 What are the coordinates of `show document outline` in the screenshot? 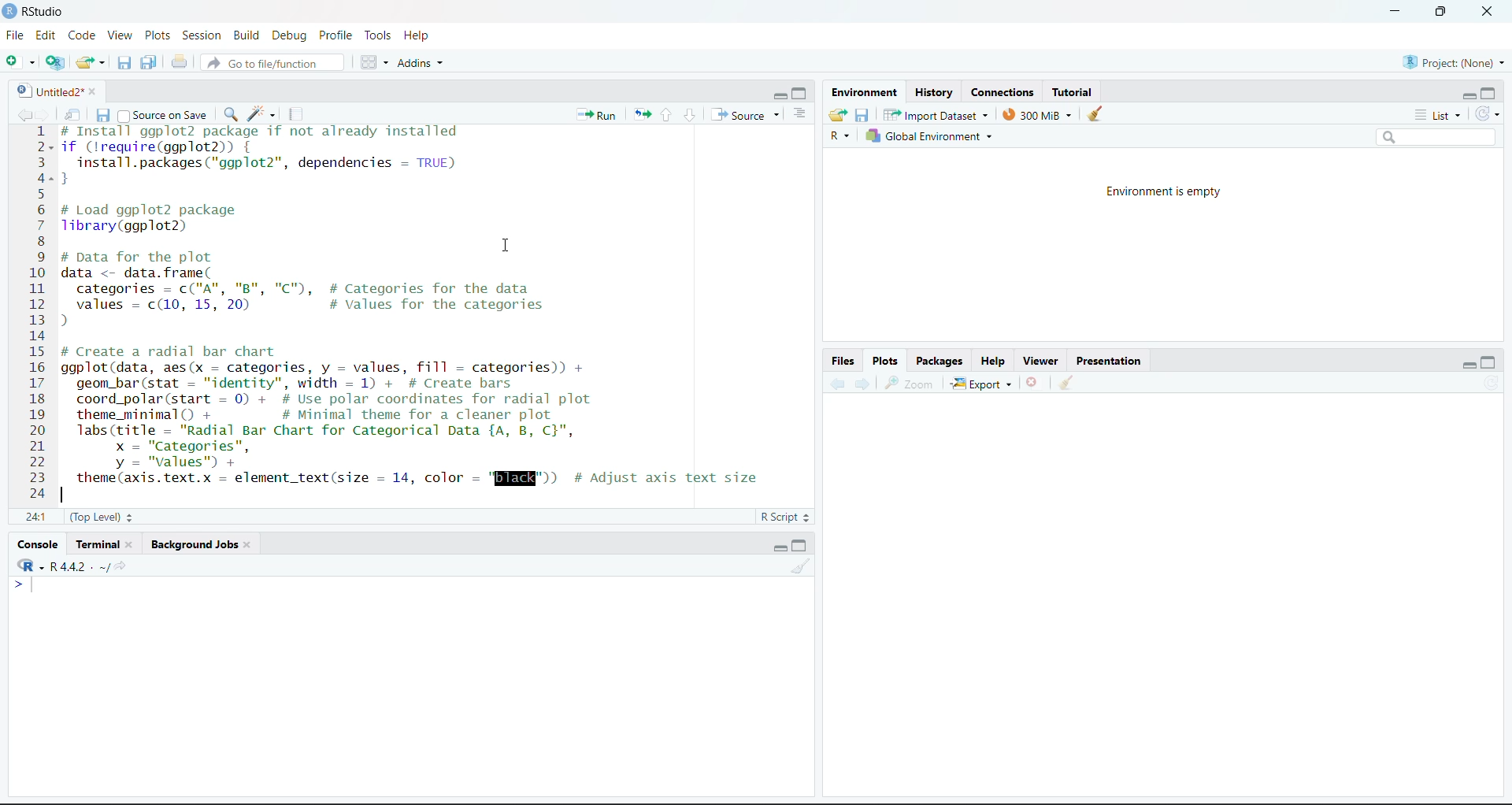 It's located at (802, 114).